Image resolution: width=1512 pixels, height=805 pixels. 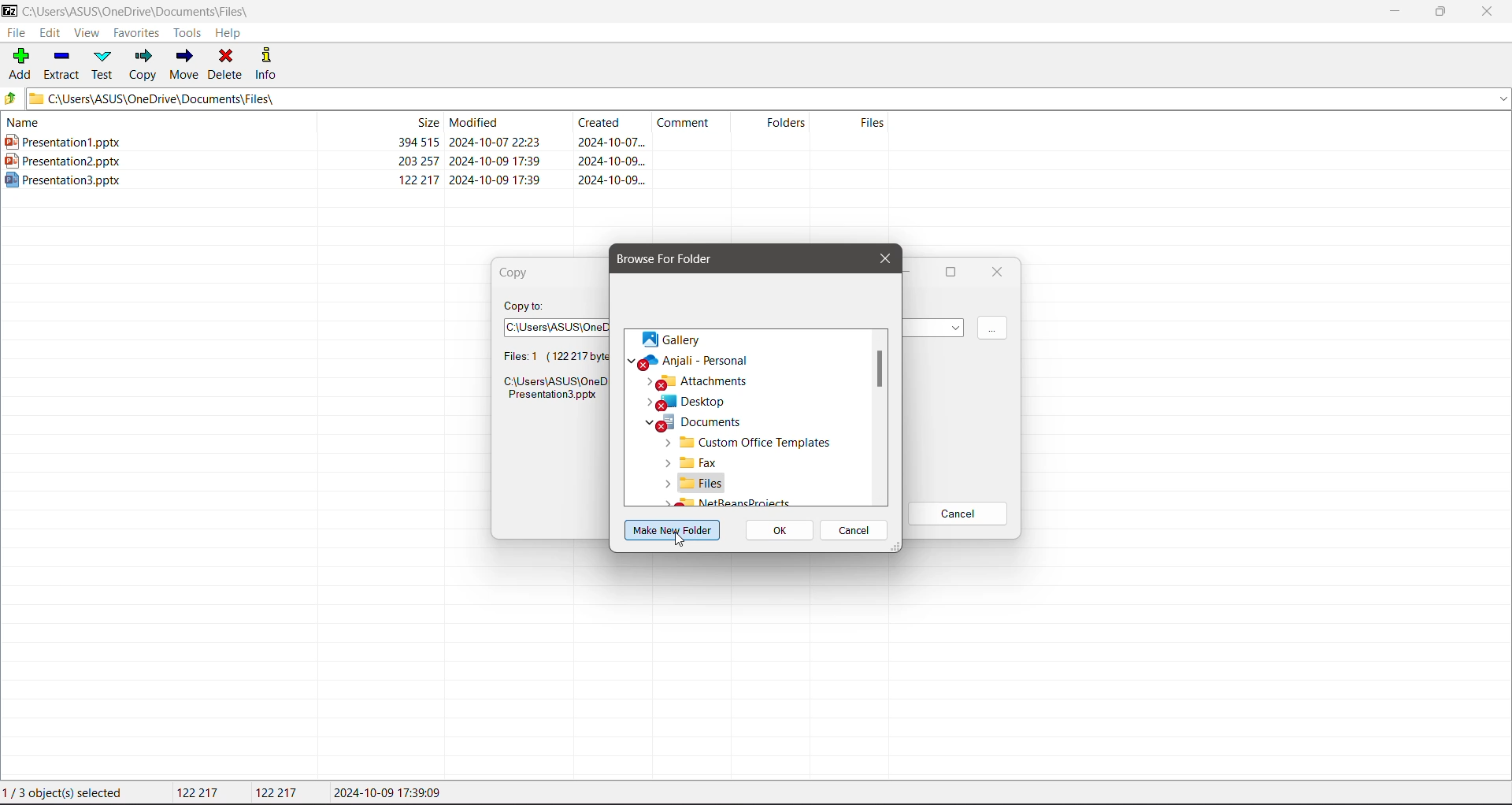 I want to click on Desktop, so click(x=693, y=402).